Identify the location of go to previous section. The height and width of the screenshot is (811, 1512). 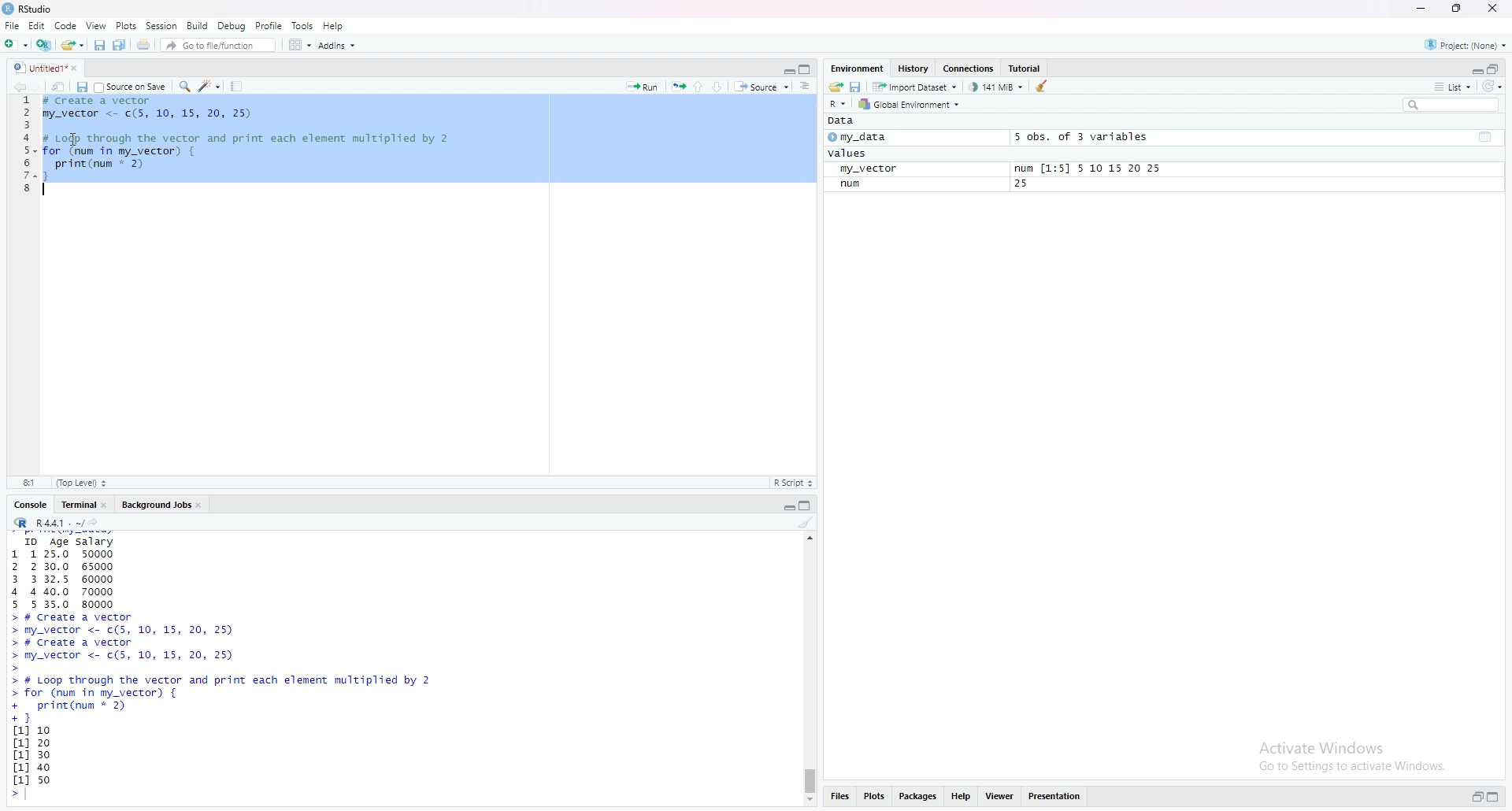
(698, 86).